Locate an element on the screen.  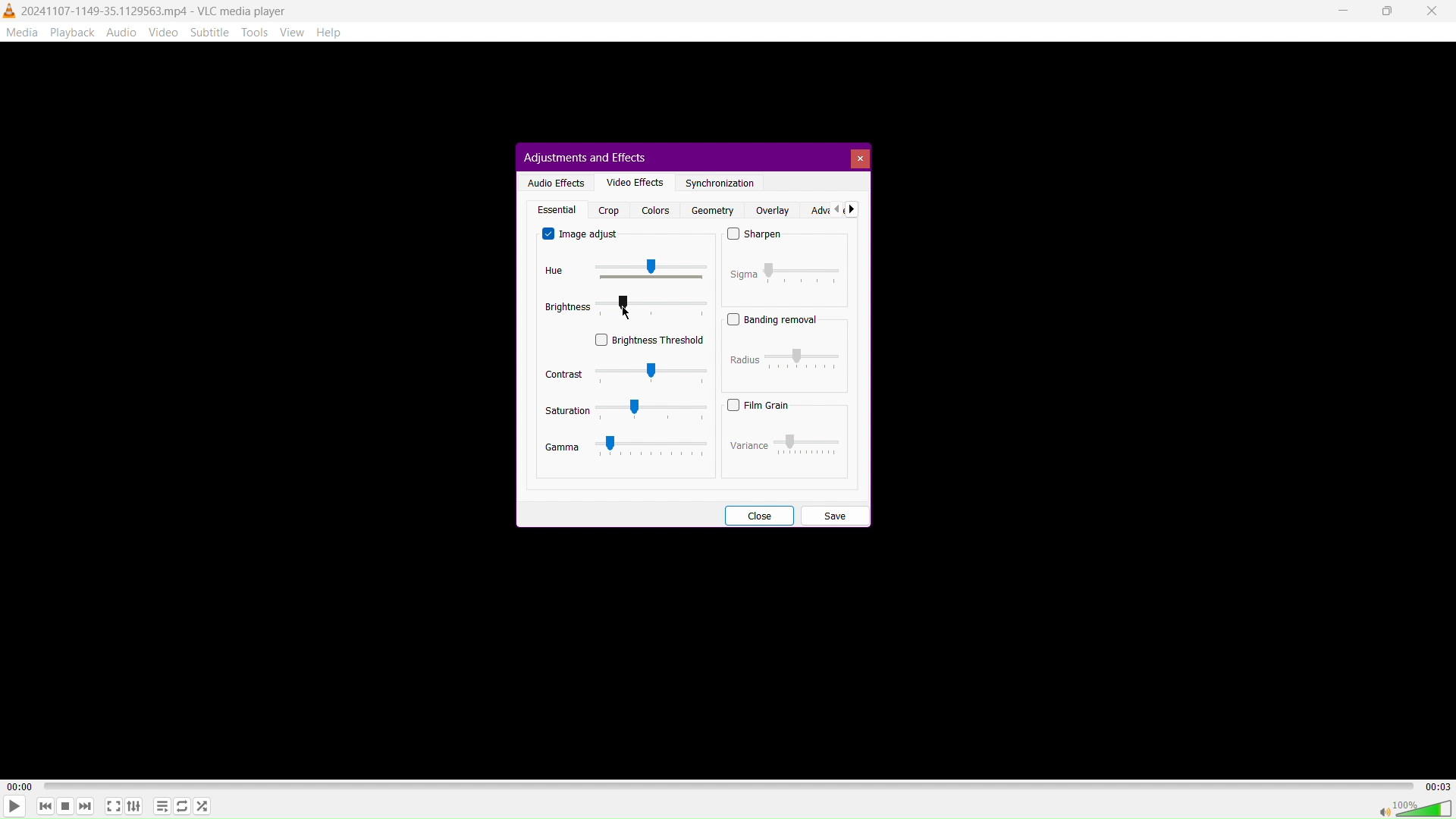
00:03 is located at coordinates (1437, 785).